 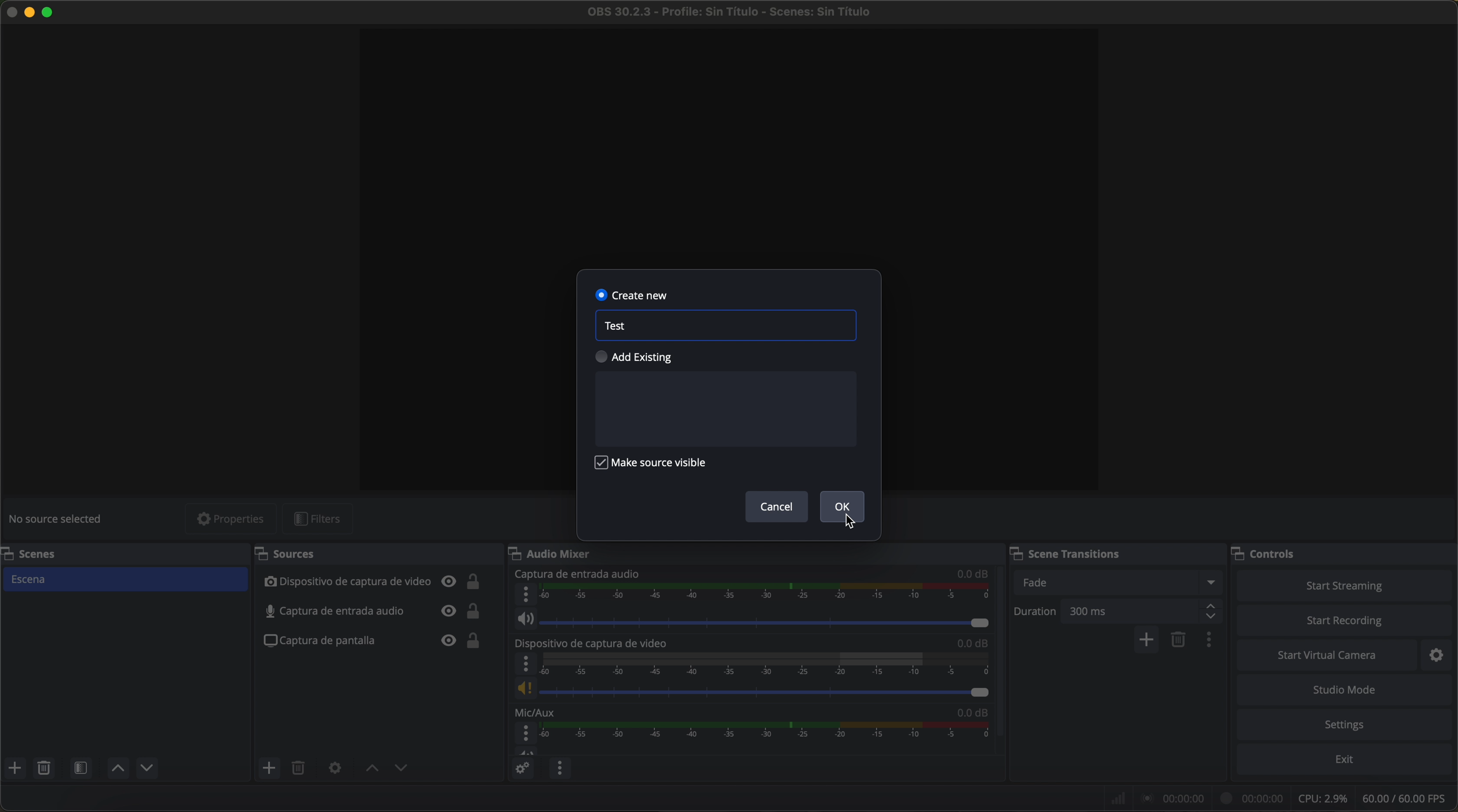 What do you see at coordinates (522, 768) in the screenshot?
I see `advanced audio properties` at bounding box center [522, 768].